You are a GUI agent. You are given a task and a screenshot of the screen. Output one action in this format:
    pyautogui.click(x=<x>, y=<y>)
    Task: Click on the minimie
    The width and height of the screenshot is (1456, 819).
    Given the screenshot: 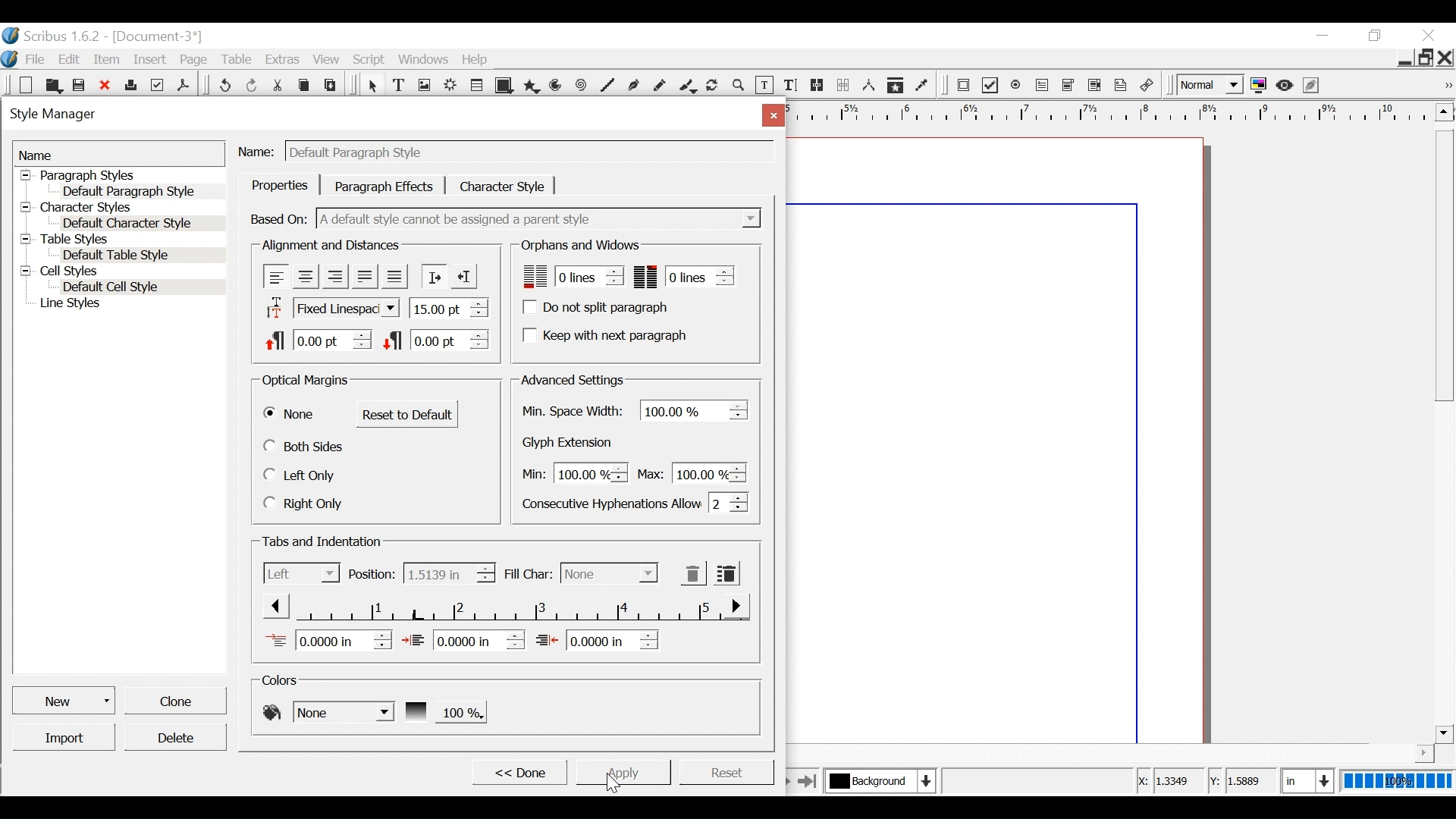 What is the action you would take?
    pyautogui.click(x=1404, y=57)
    